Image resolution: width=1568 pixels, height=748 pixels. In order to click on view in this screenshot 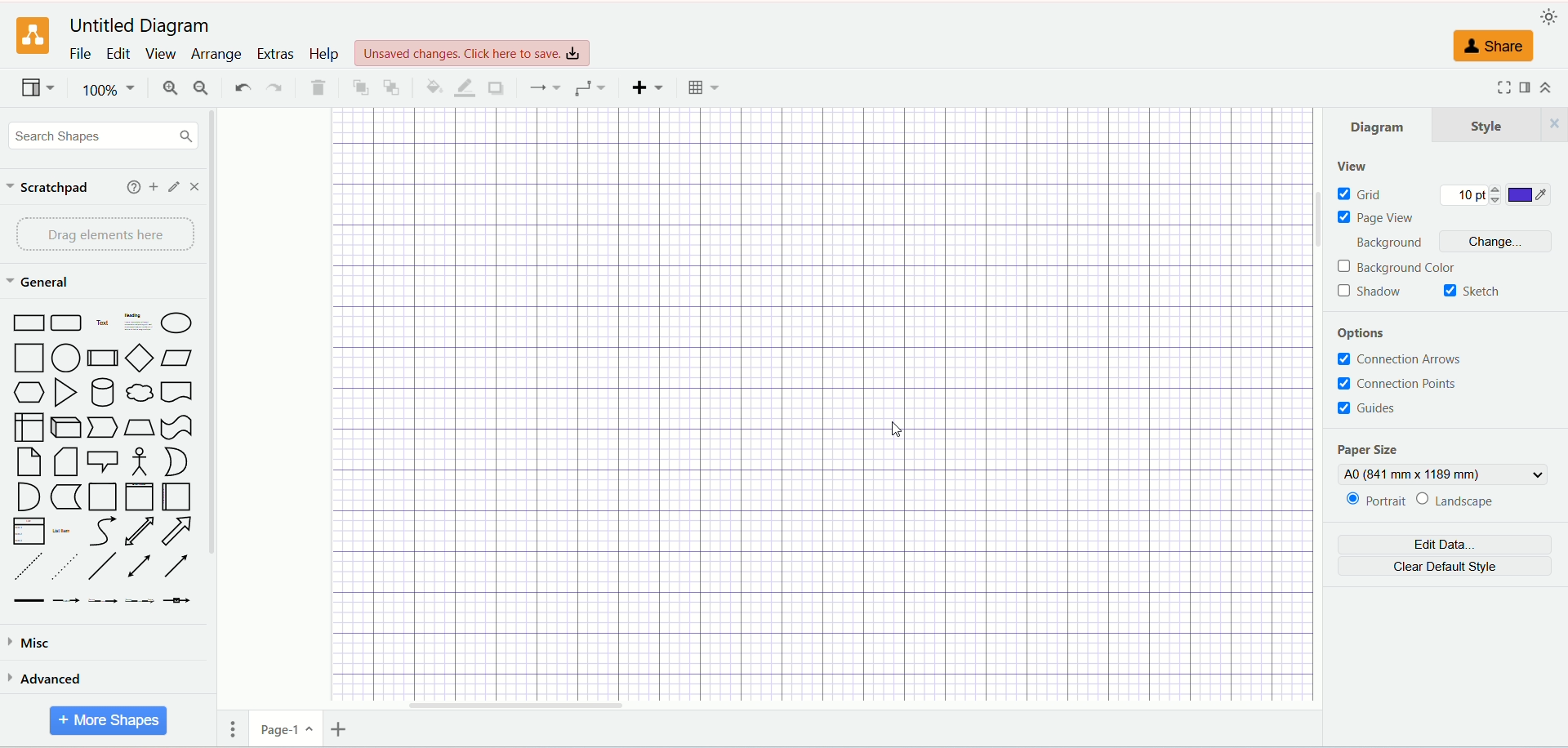, I will do `click(35, 90)`.